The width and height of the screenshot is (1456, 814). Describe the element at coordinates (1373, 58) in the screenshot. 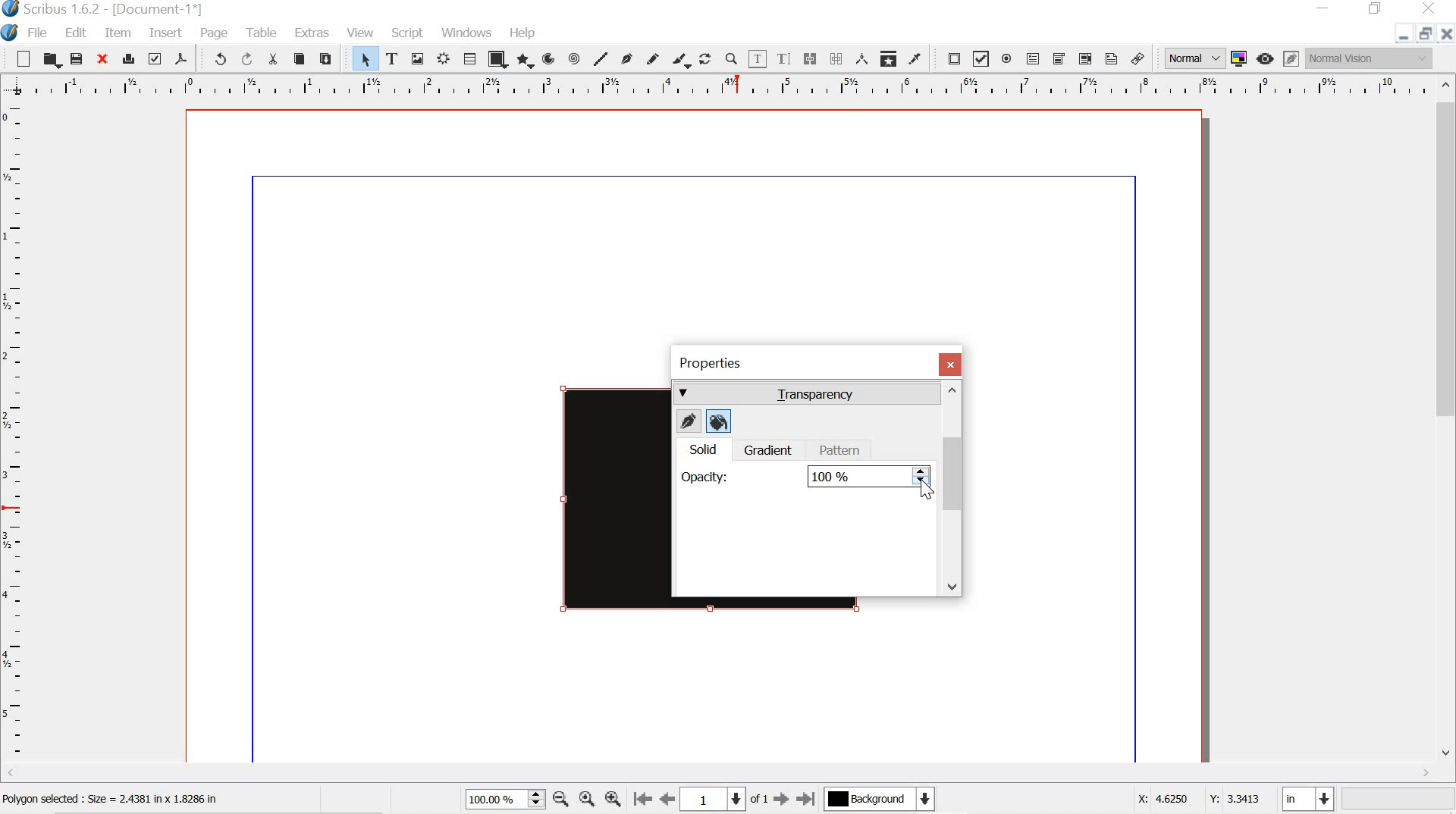

I see `Normal vision` at that location.